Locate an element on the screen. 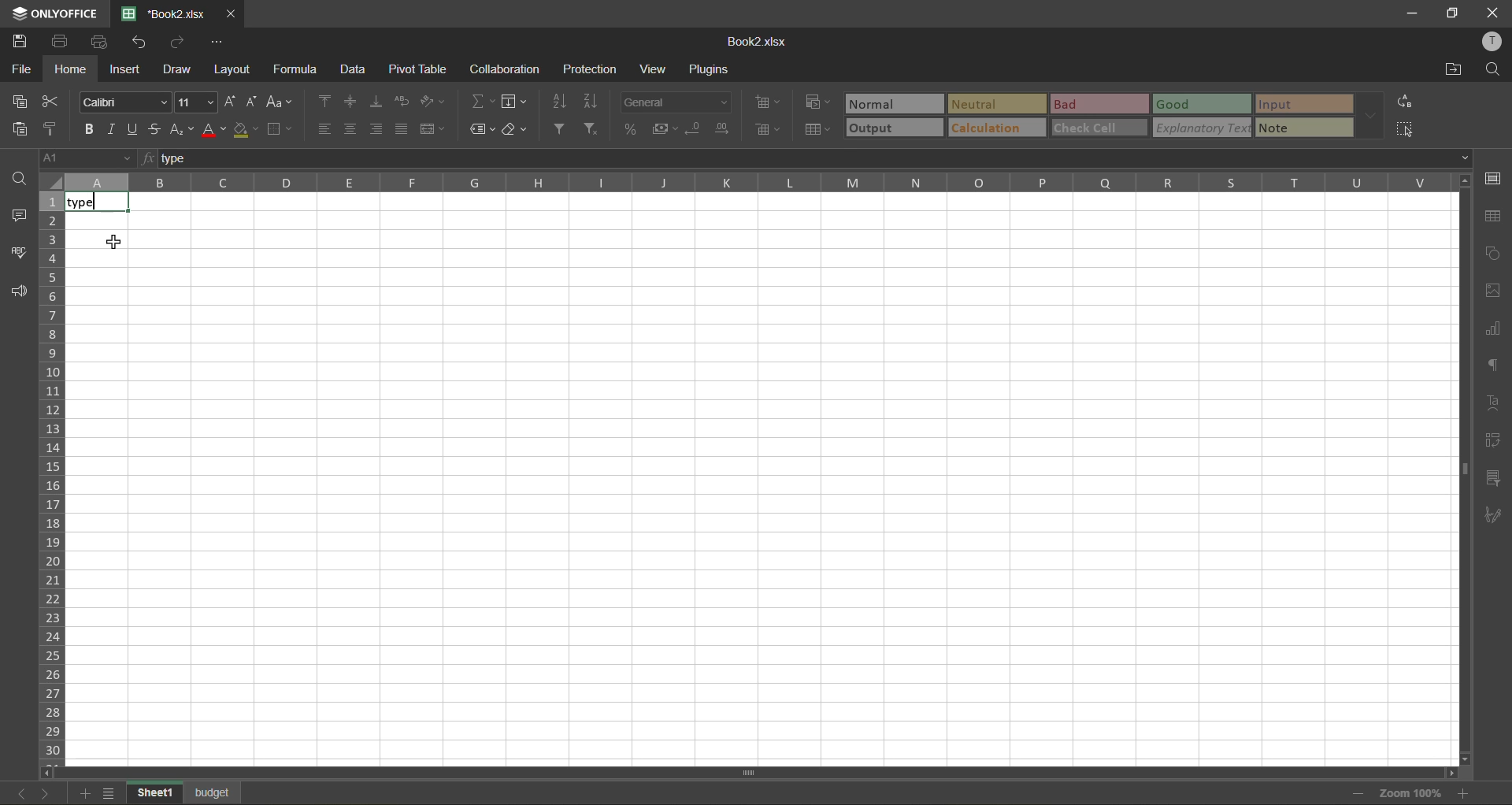 The width and height of the screenshot is (1512, 805). undo is located at coordinates (143, 42).